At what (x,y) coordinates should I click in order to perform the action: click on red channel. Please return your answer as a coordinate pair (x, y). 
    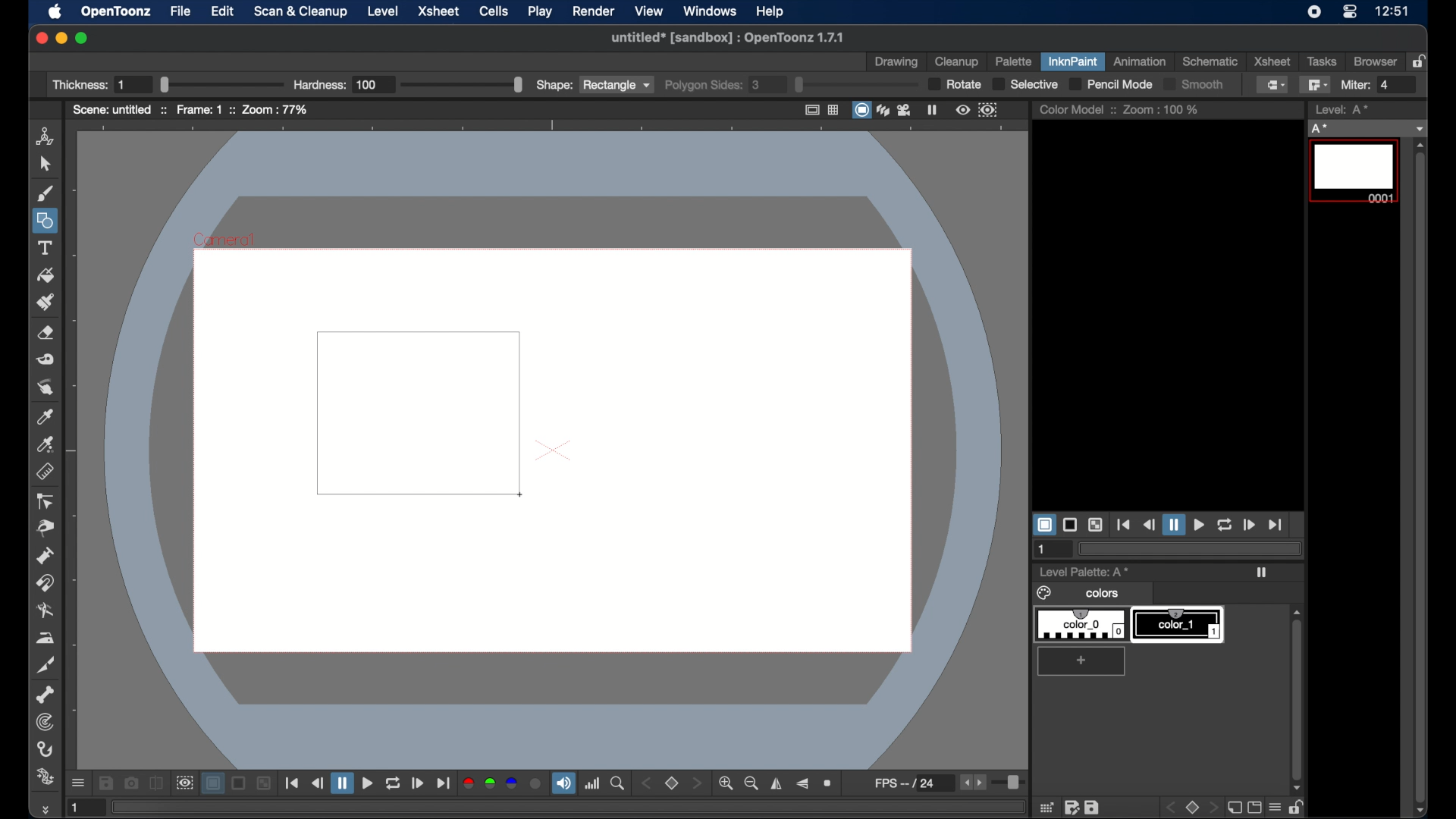
    Looking at the image, I should click on (468, 783).